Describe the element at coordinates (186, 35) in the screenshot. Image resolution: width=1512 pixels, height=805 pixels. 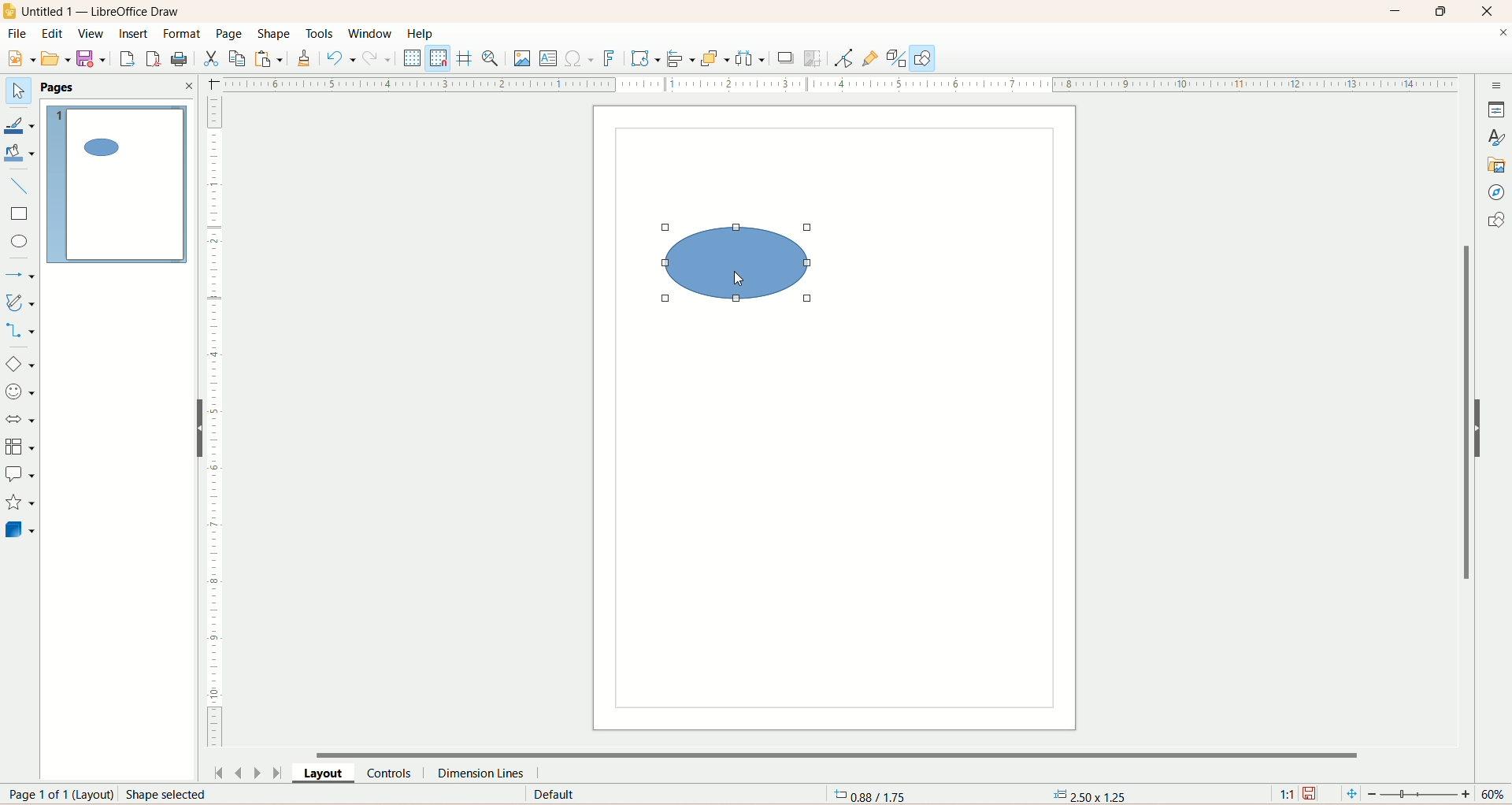
I see `format` at that location.